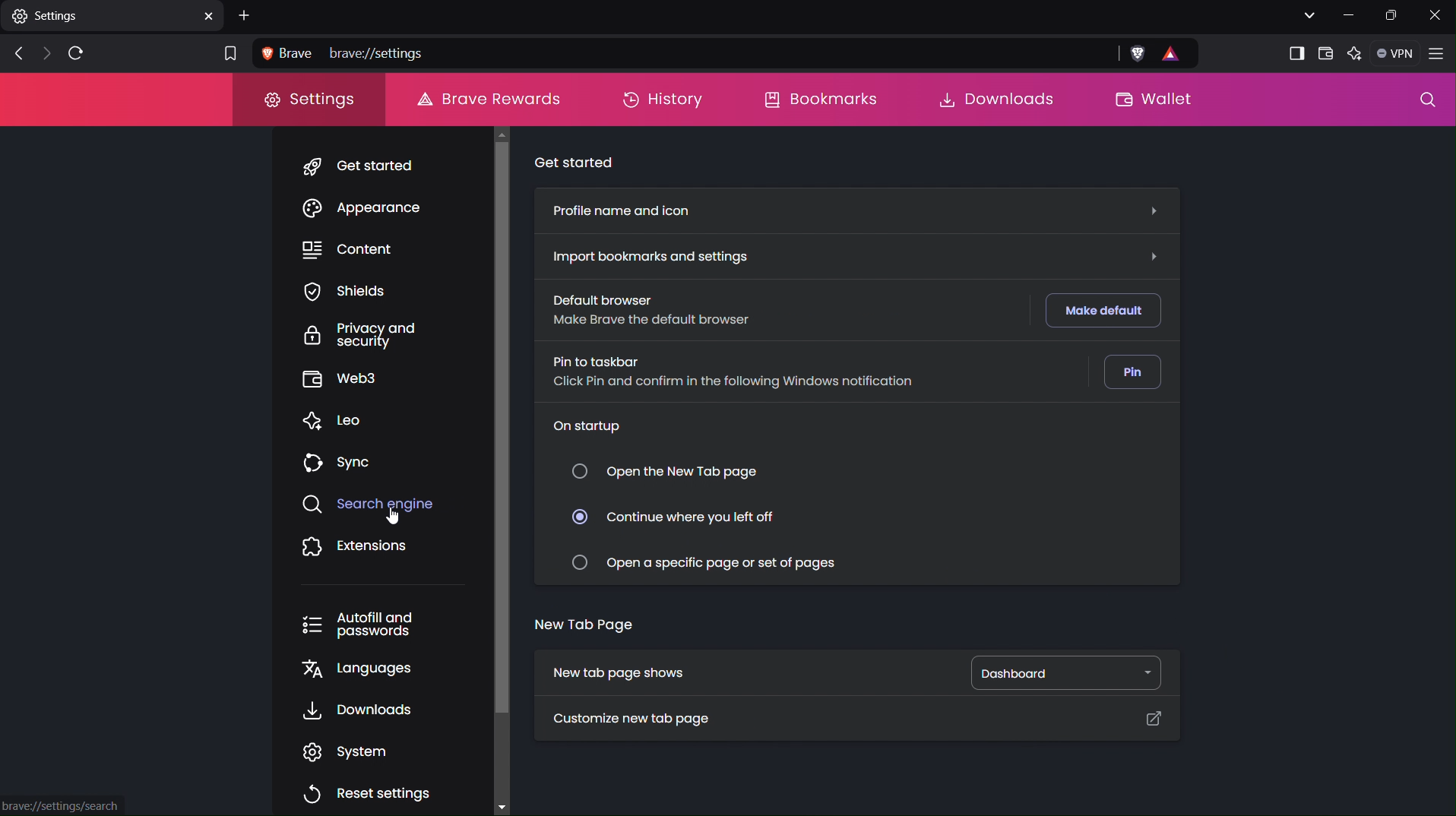 This screenshot has width=1456, height=816. Describe the element at coordinates (1393, 16) in the screenshot. I see `Maximize` at that location.